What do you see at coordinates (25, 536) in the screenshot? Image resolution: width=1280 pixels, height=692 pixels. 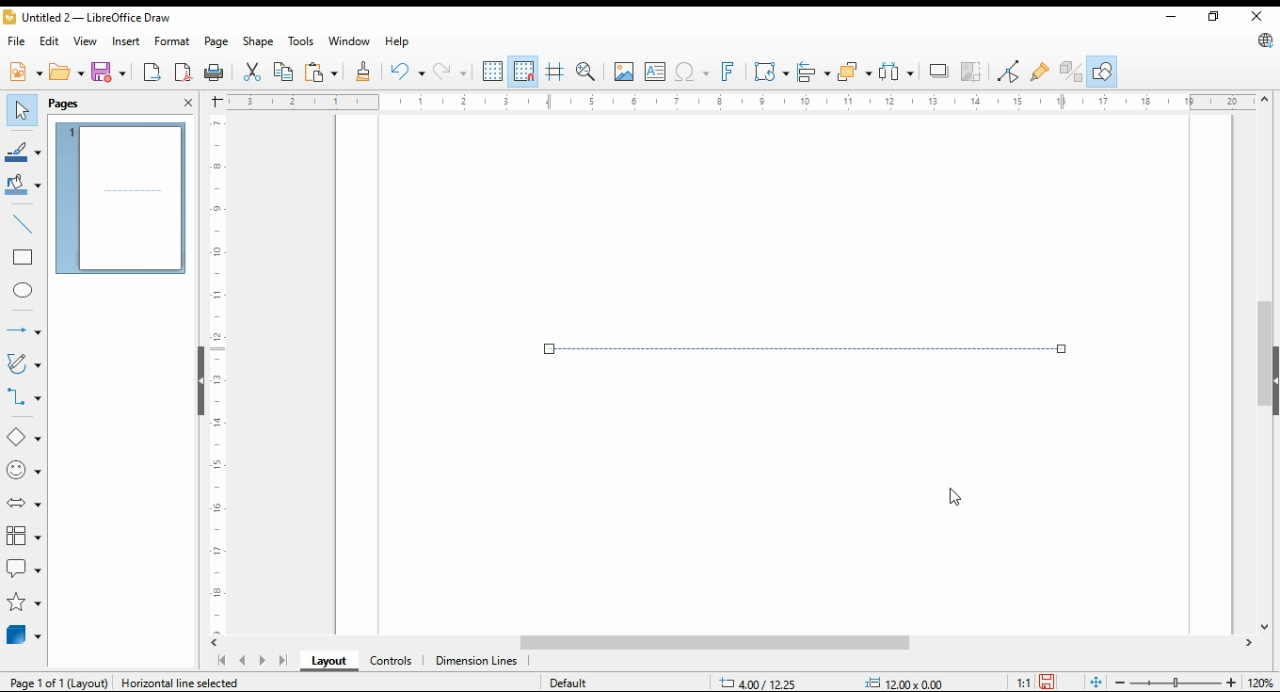 I see `flowchart` at bounding box center [25, 536].